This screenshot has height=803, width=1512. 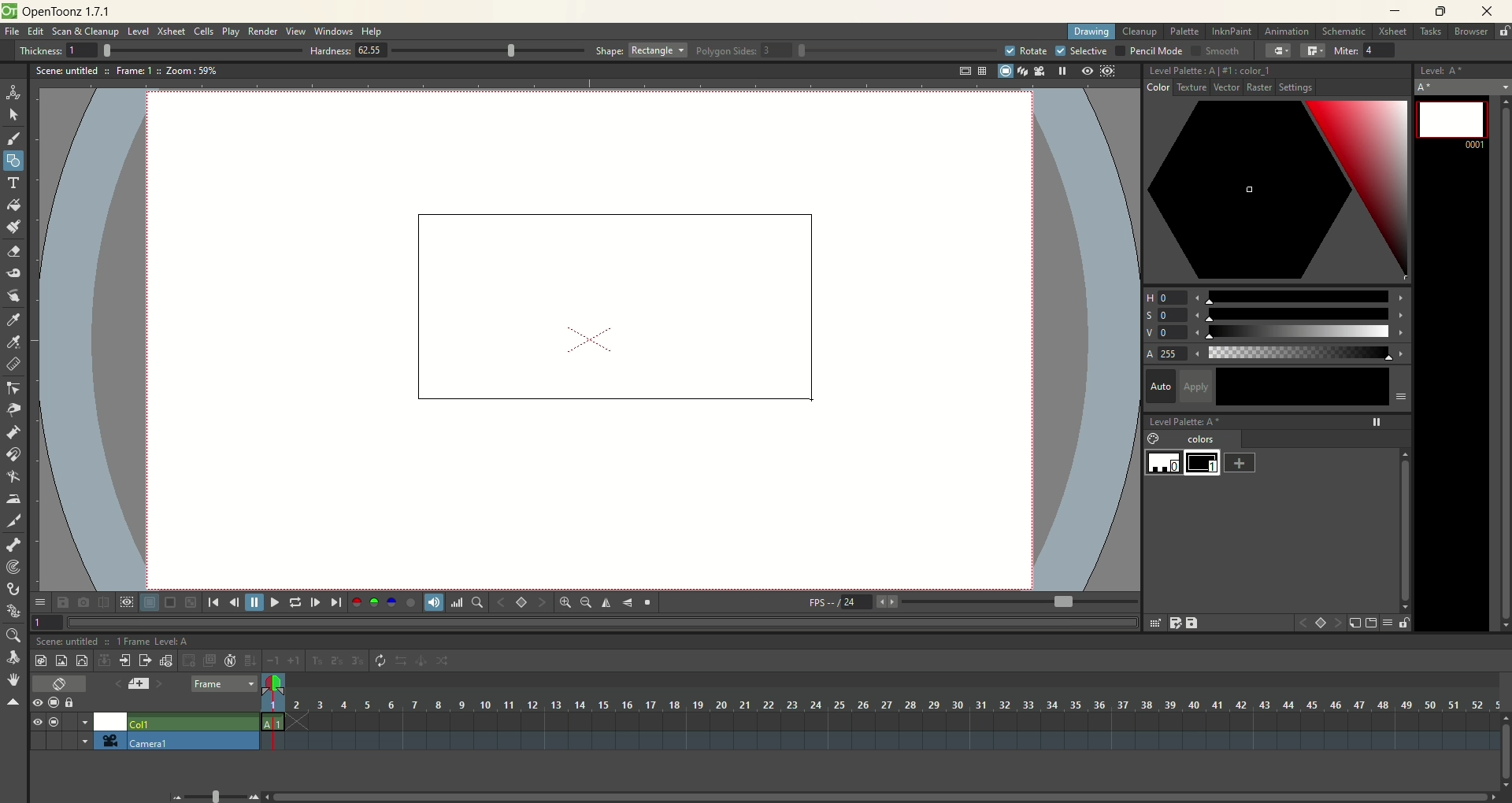 What do you see at coordinates (358, 661) in the screenshot?
I see `reframe on 3's` at bounding box center [358, 661].